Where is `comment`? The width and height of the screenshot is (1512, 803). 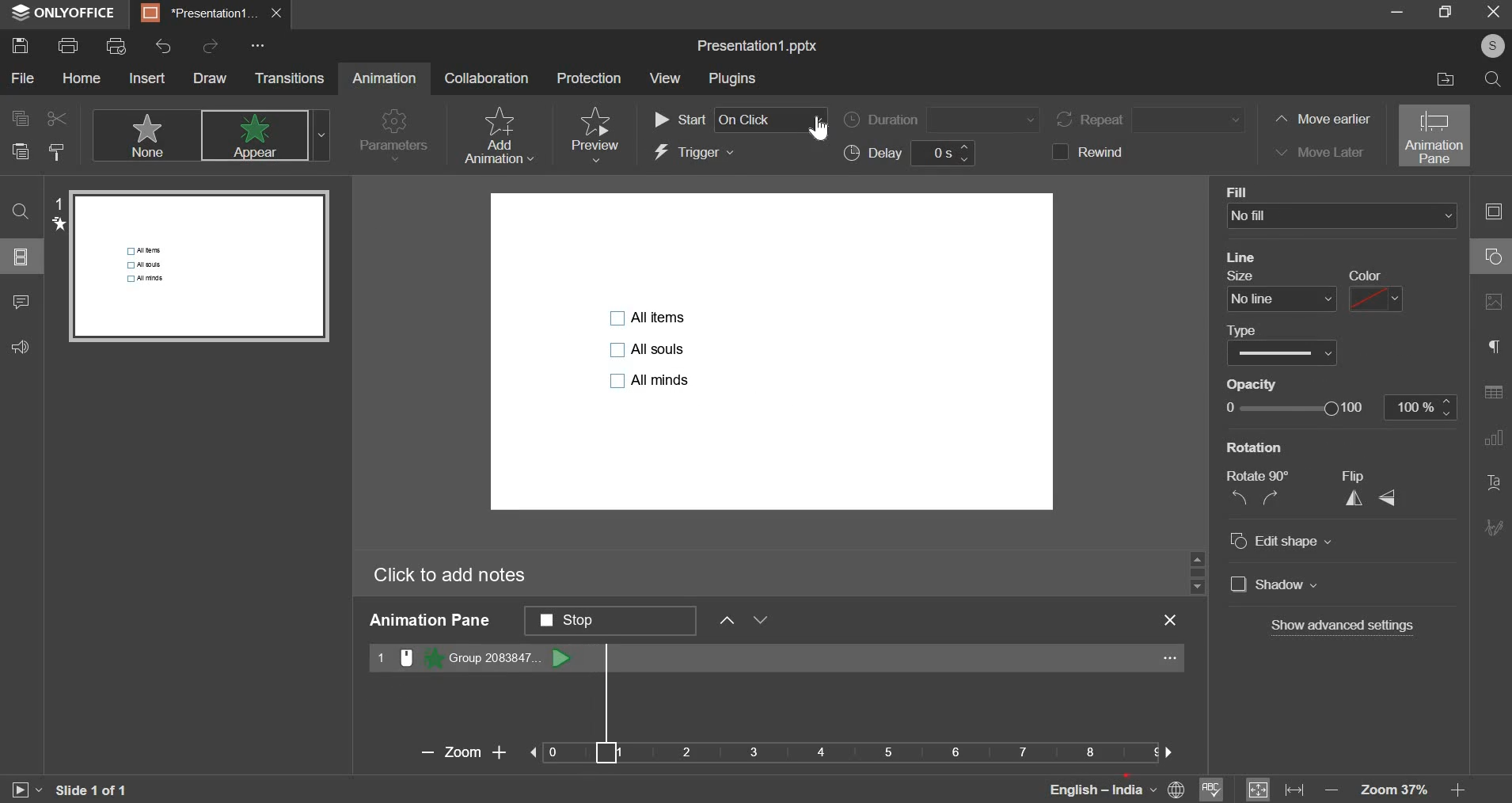
comment is located at coordinates (20, 304).